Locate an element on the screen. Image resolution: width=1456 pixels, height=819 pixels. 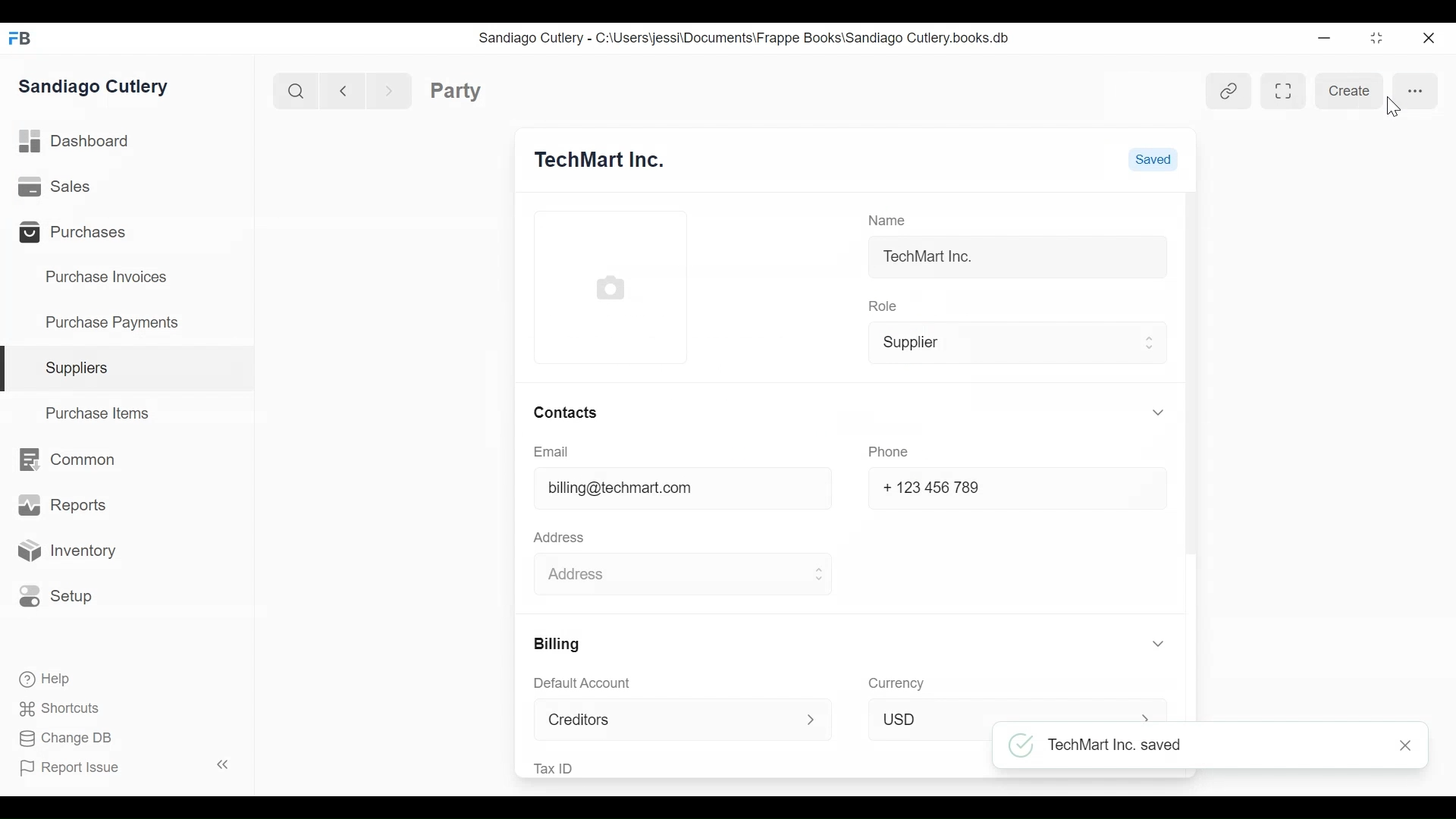
Default Account is located at coordinates (588, 685).